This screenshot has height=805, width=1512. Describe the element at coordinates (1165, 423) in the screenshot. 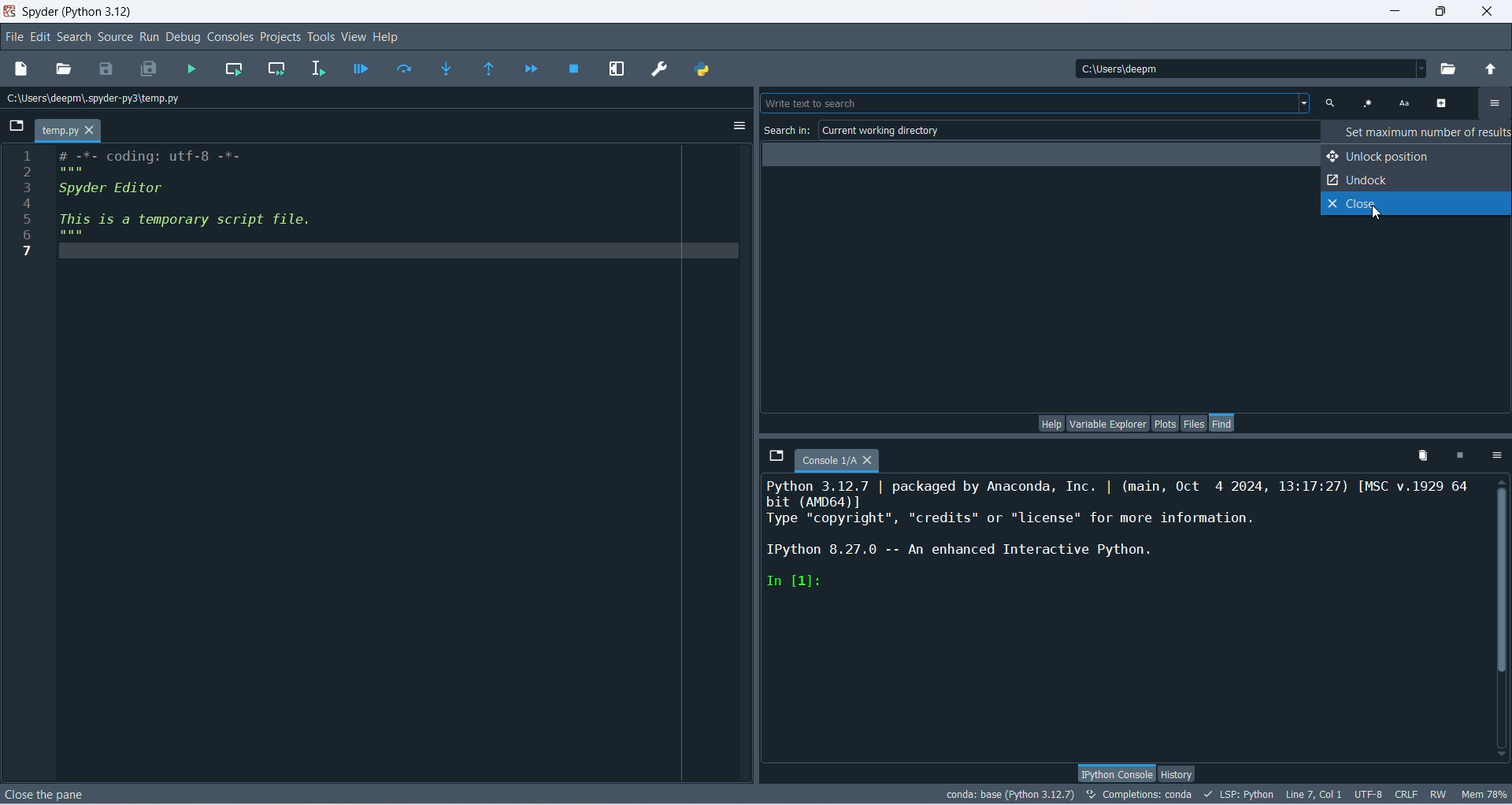

I see `plots` at that location.